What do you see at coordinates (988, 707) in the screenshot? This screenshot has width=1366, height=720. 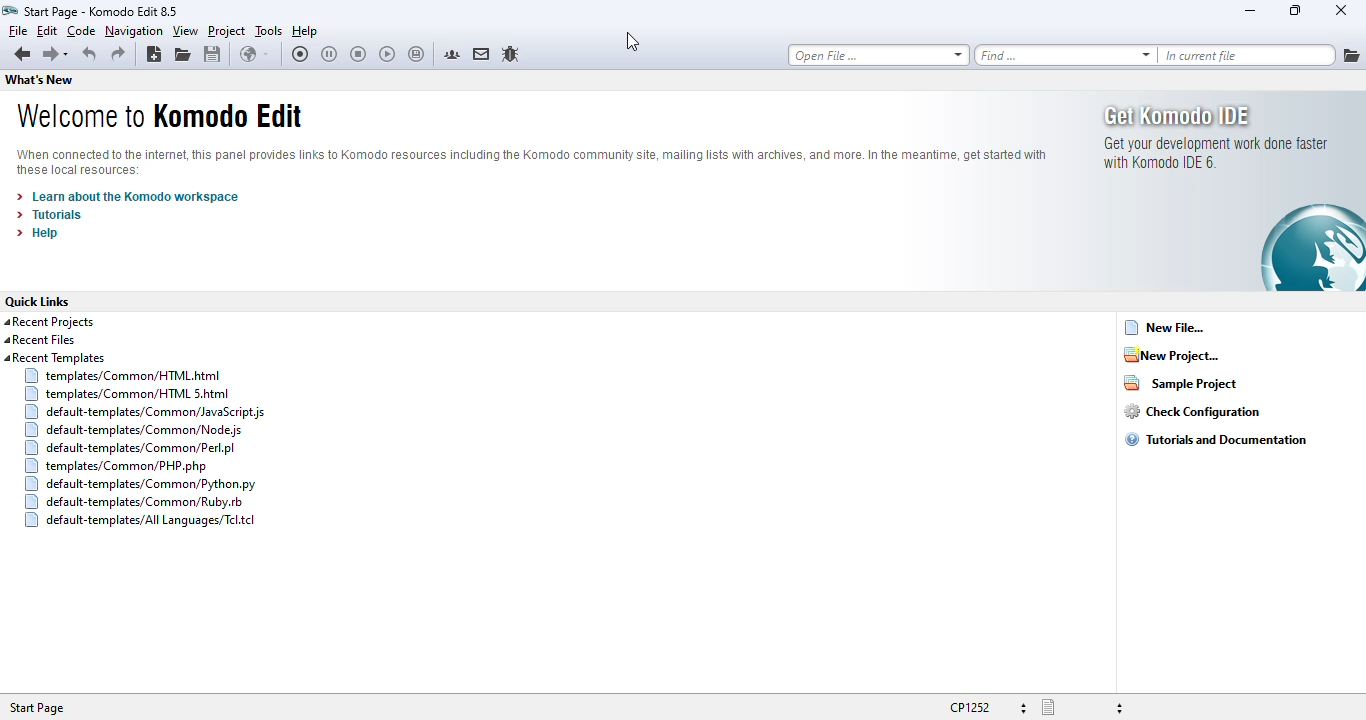 I see `file encoding` at bounding box center [988, 707].